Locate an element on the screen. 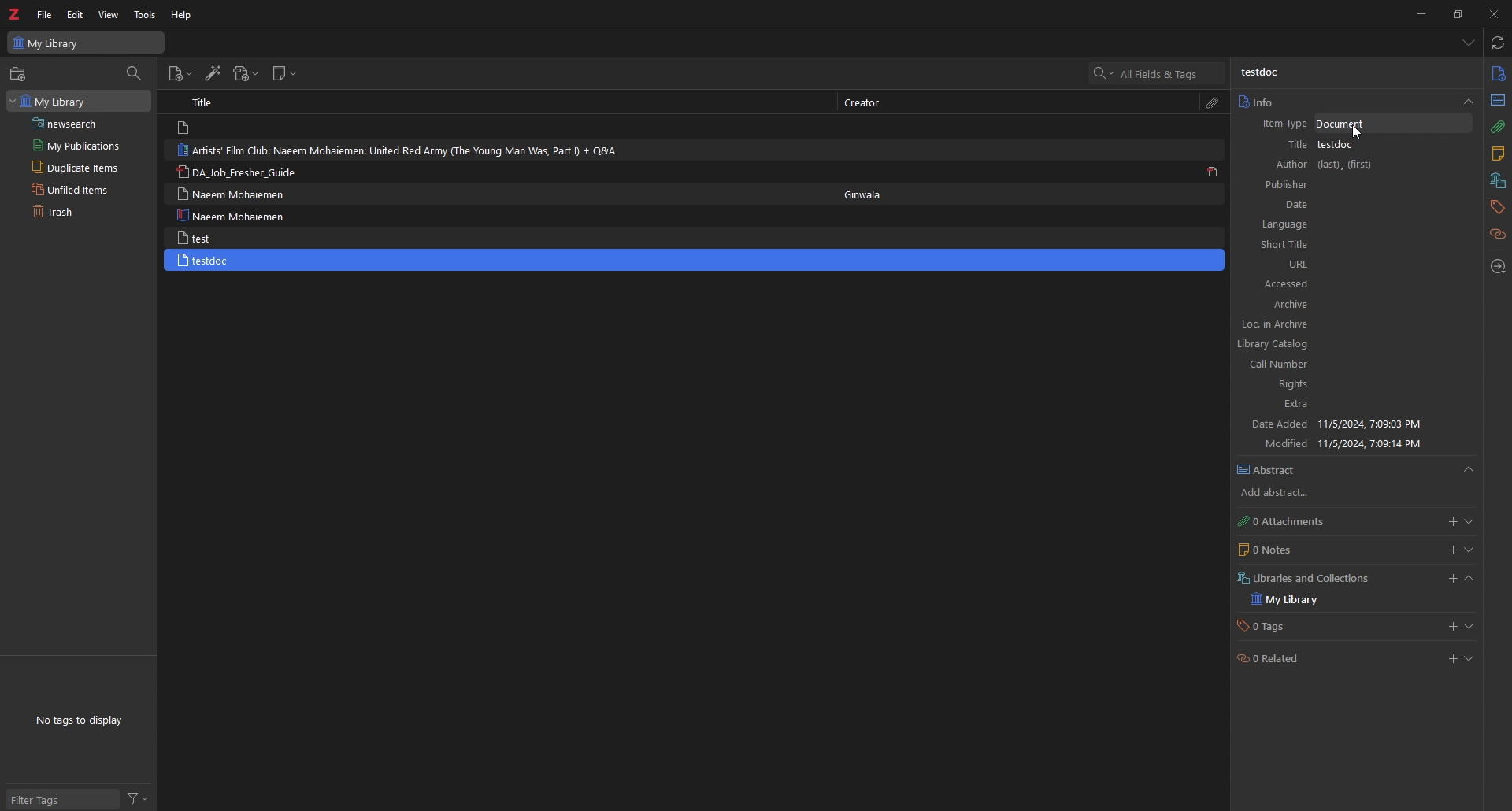 The height and width of the screenshot is (811, 1512). Modified is located at coordinates (1284, 444).